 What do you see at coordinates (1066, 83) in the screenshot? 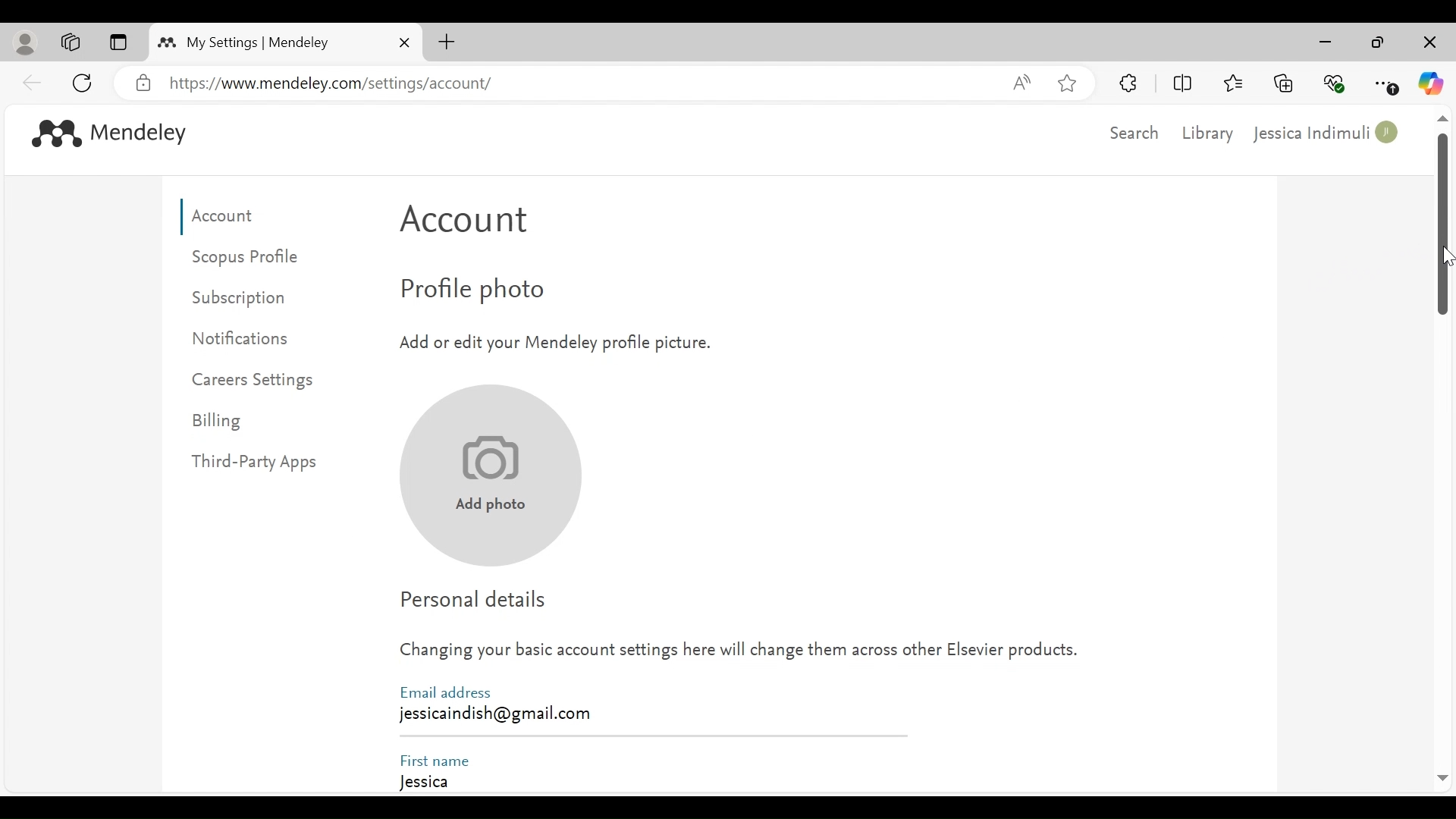
I see `Add this page to Favorites` at bounding box center [1066, 83].